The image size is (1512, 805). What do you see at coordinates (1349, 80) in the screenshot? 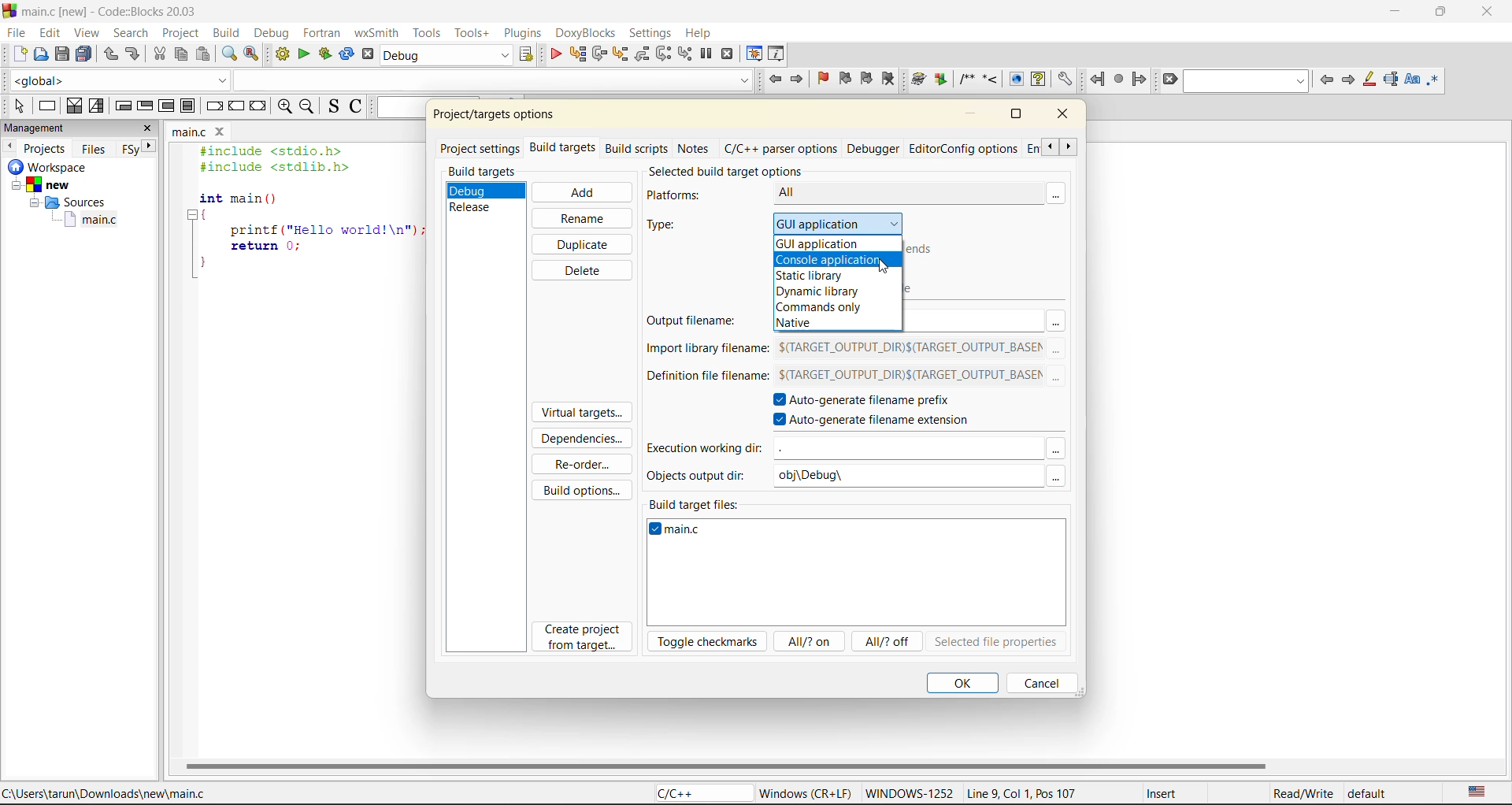
I see `next` at bounding box center [1349, 80].